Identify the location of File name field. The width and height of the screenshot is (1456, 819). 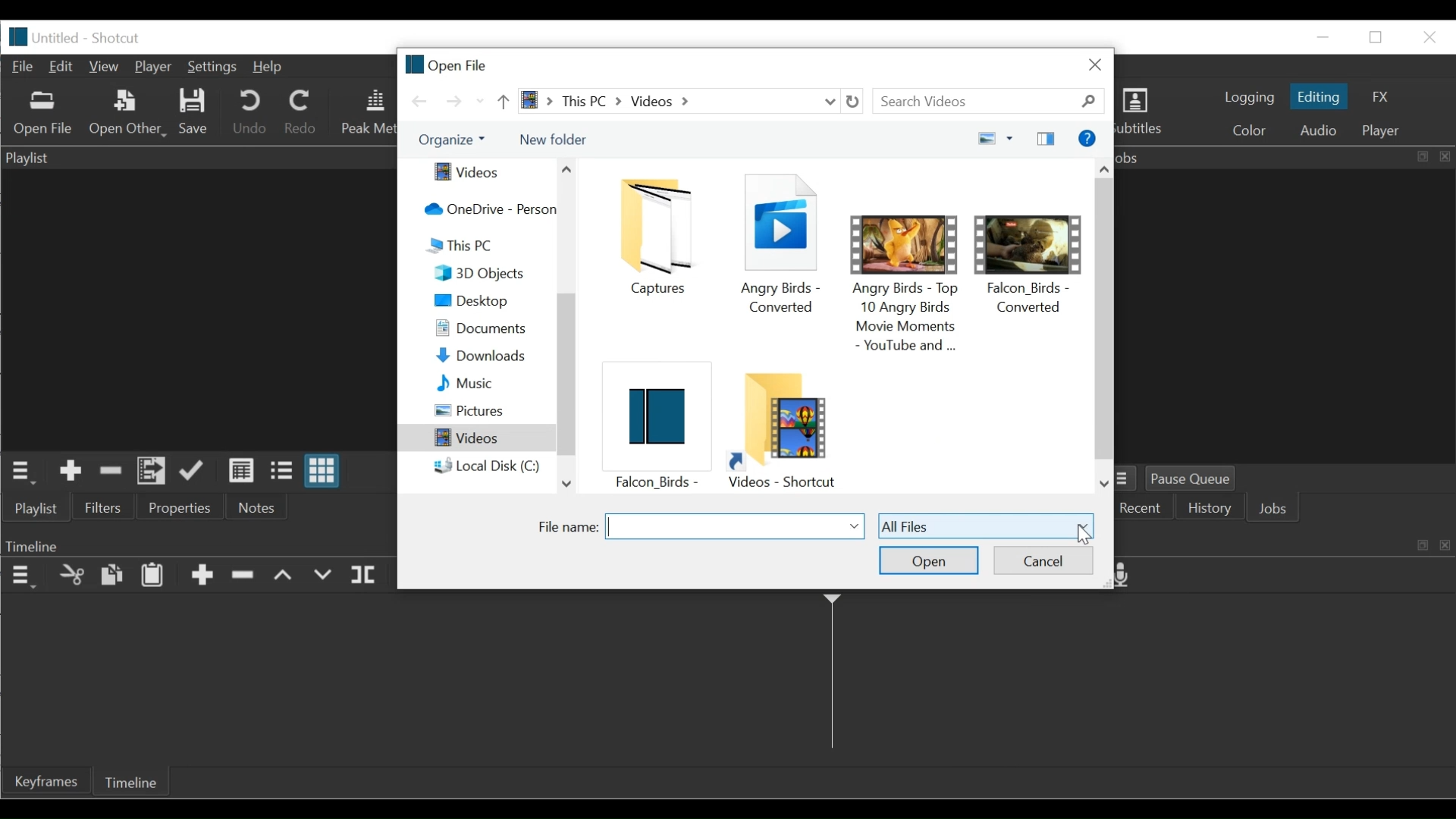
(735, 526).